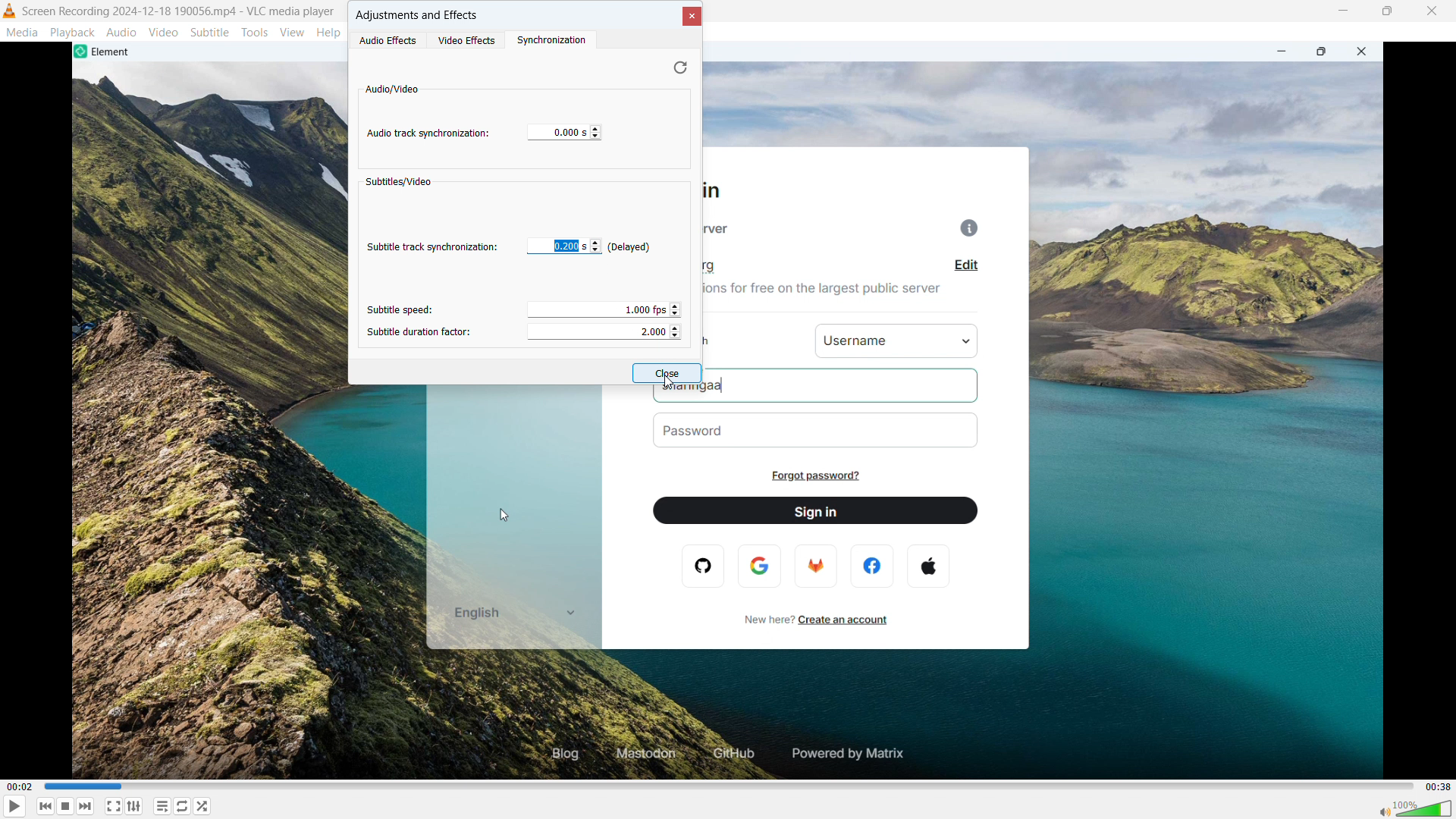  I want to click on matrix.org, so click(724, 267).